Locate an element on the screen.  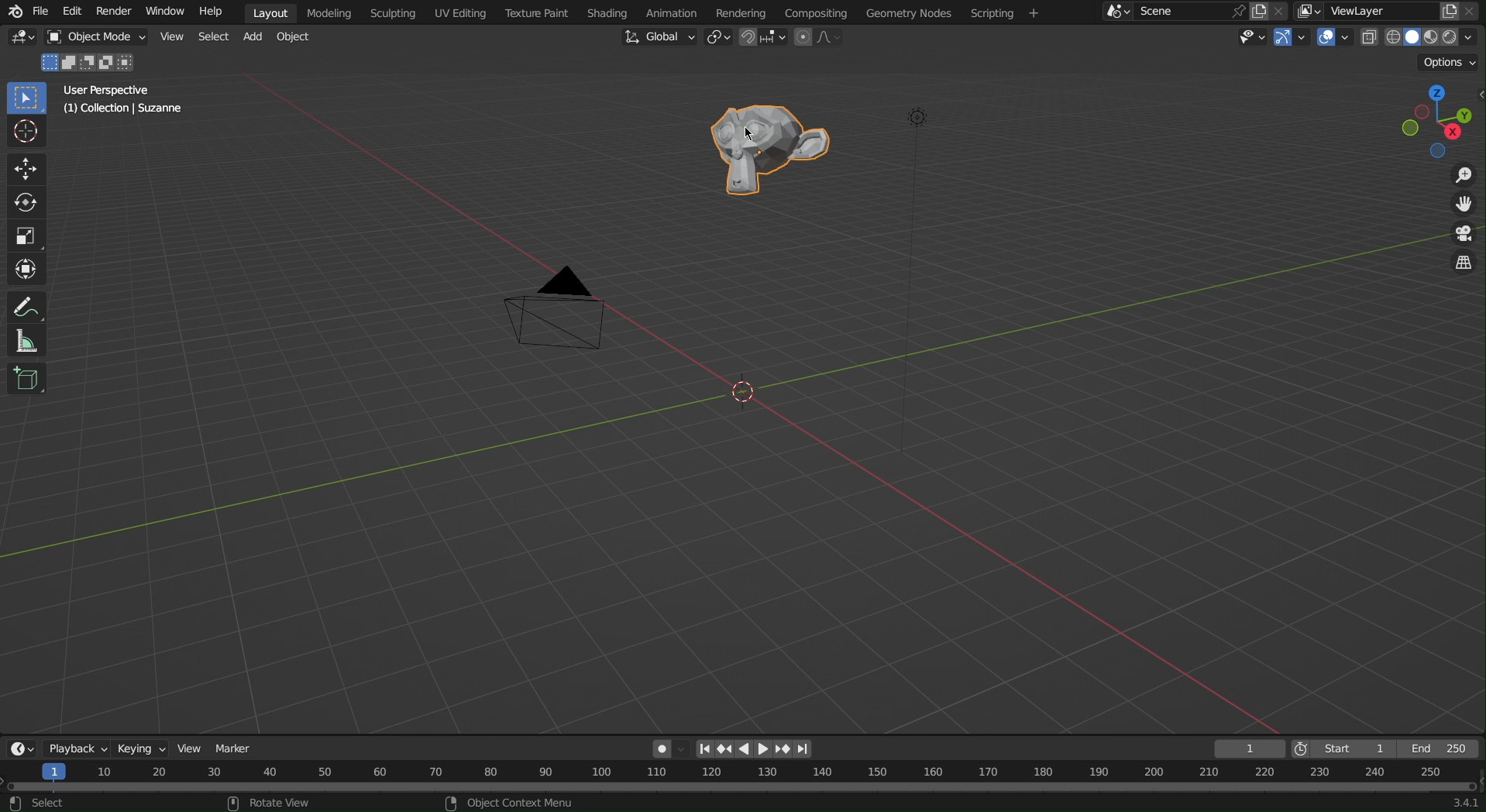
right is located at coordinates (765, 747).